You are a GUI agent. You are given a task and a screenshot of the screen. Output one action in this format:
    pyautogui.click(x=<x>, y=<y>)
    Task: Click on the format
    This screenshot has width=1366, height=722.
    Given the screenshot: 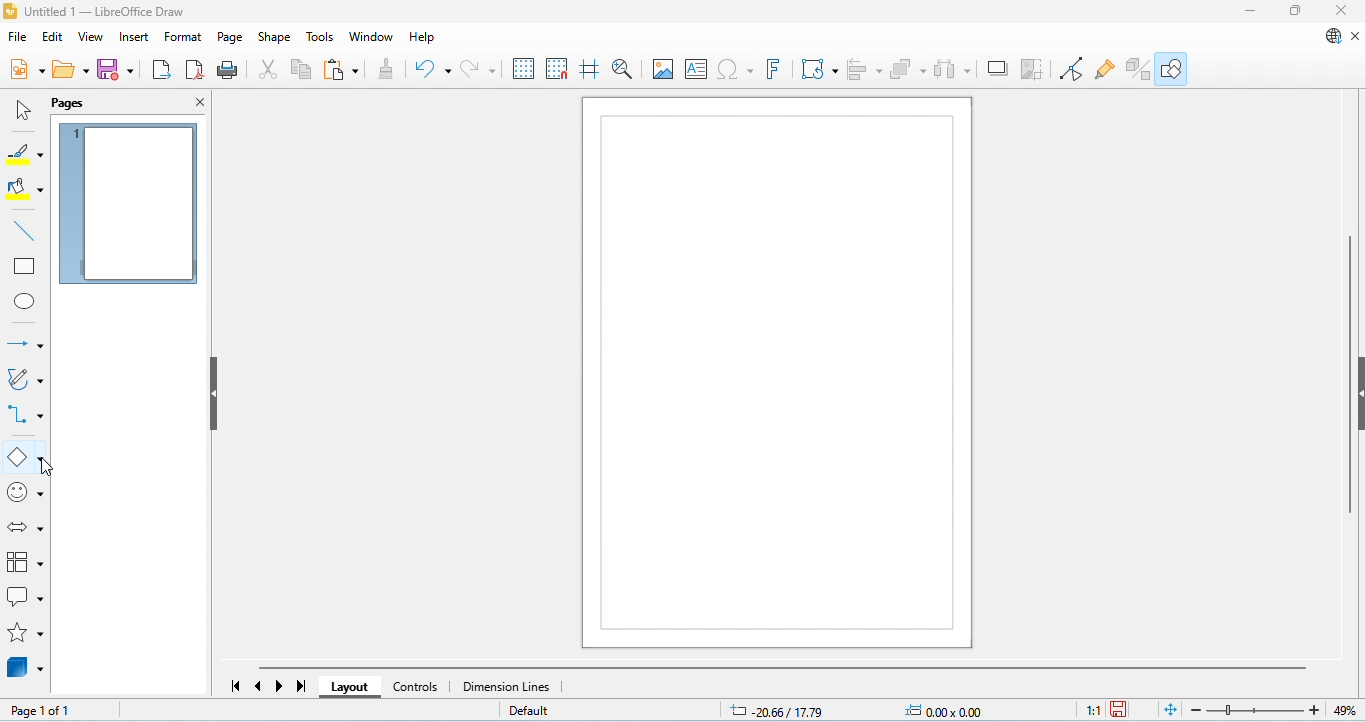 What is the action you would take?
    pyautogui.click(x=184, y=36)
    